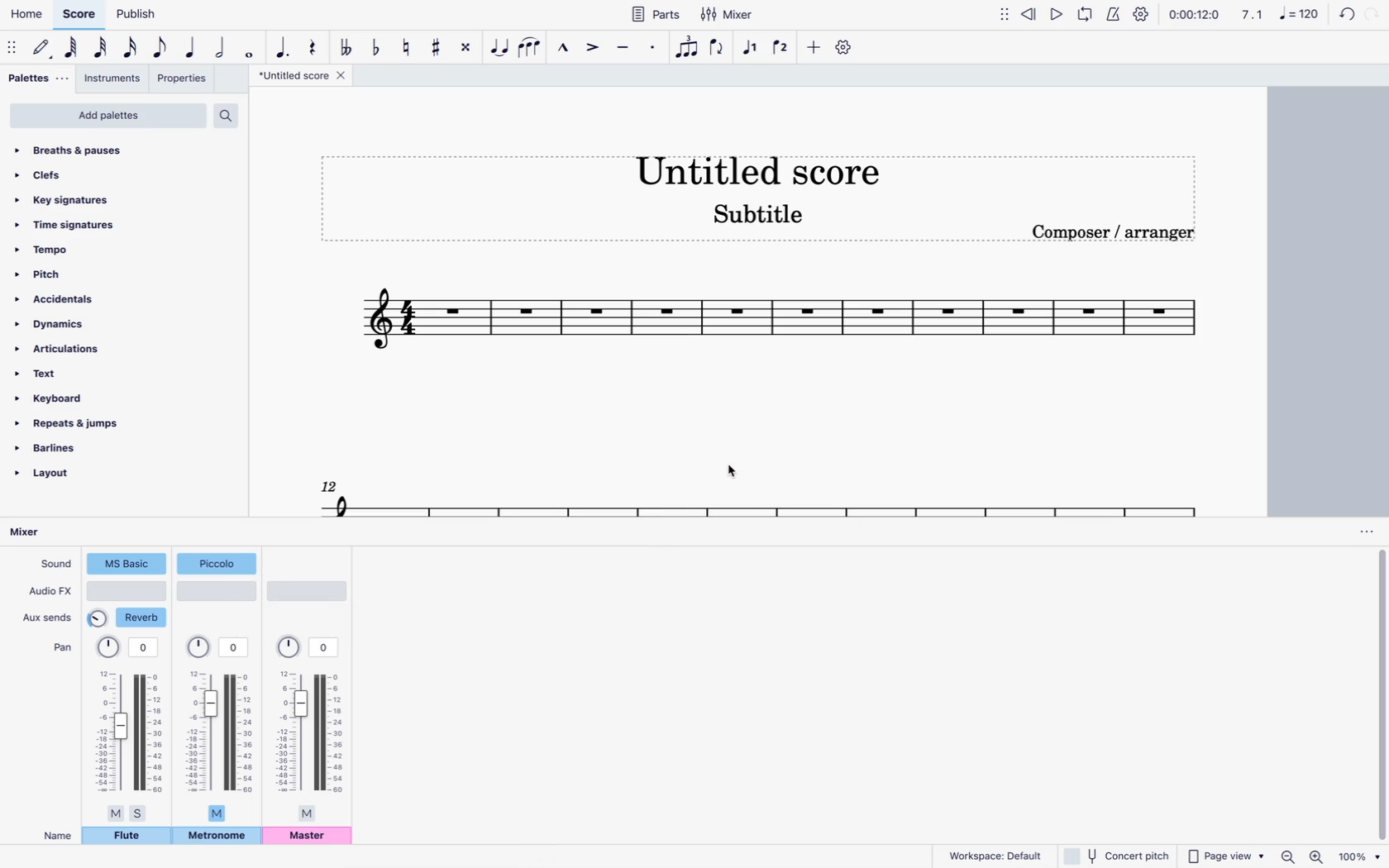  What do you see at coordinates (814, 48) in the screenshot?
I see `more` at bounding box center [814, 48].